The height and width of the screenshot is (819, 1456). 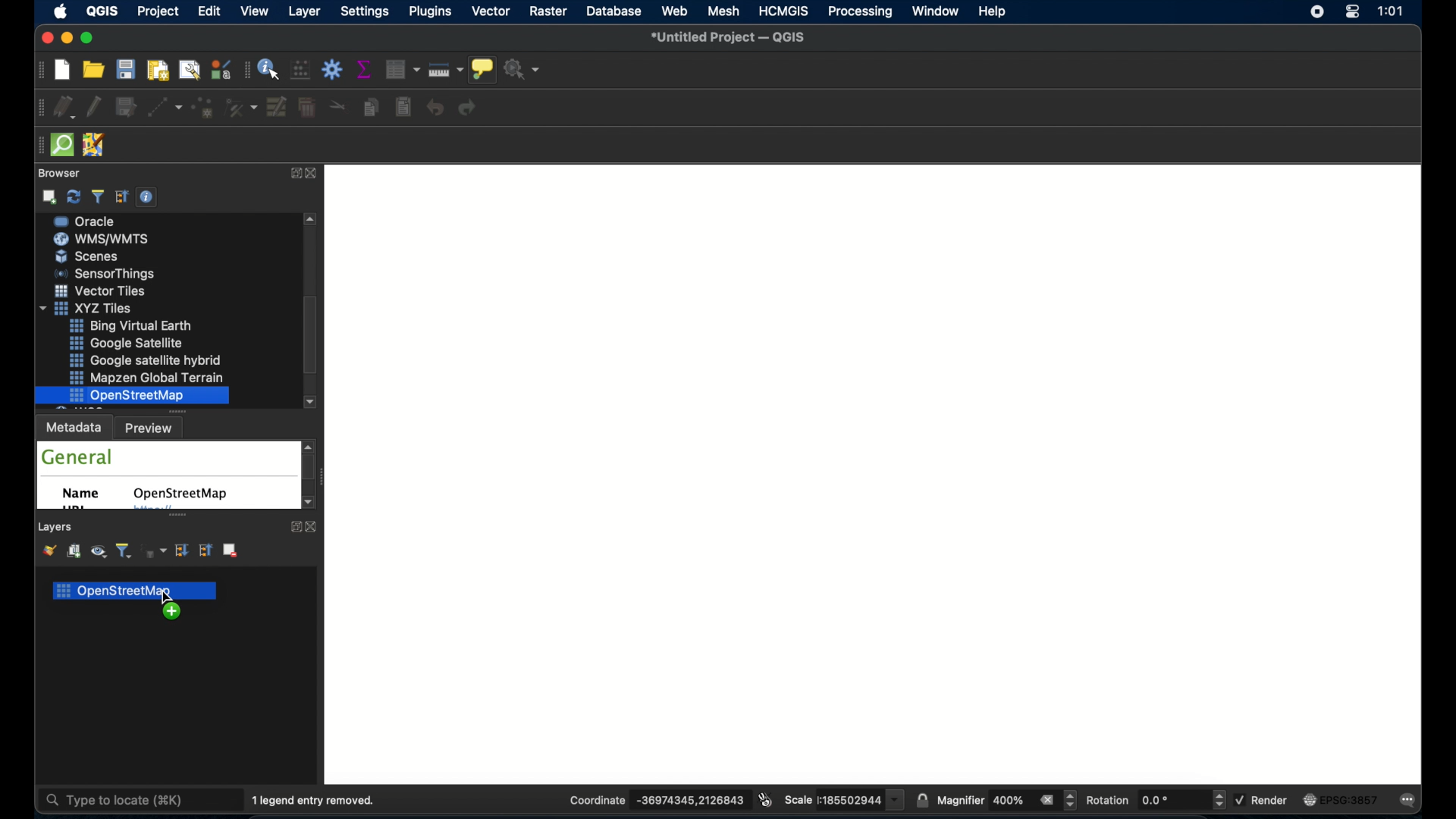 I want to click on scroll up arrow, so click(x=311, y=220).